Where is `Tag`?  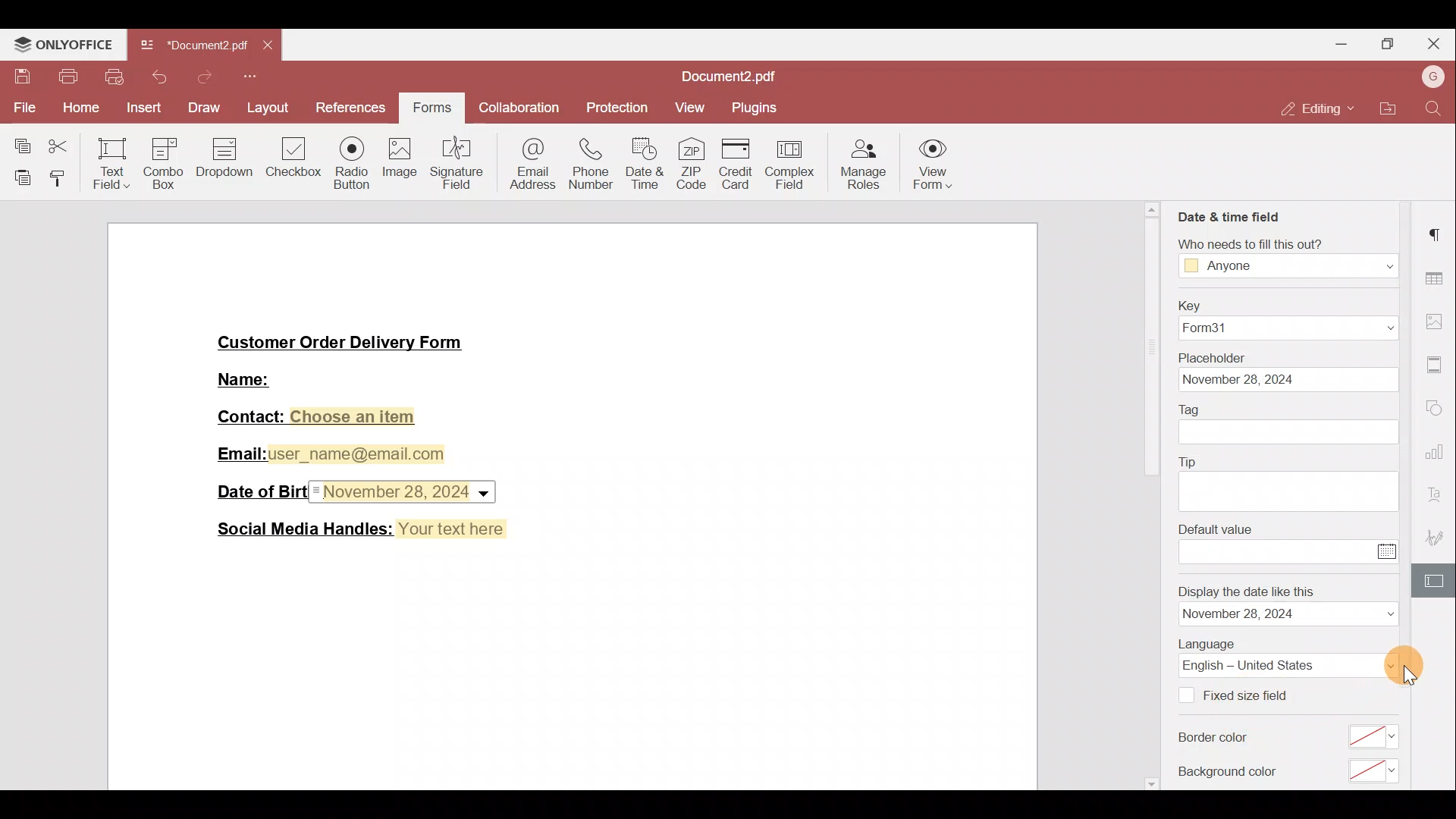
Tag is located at coordinates (1191, 410).